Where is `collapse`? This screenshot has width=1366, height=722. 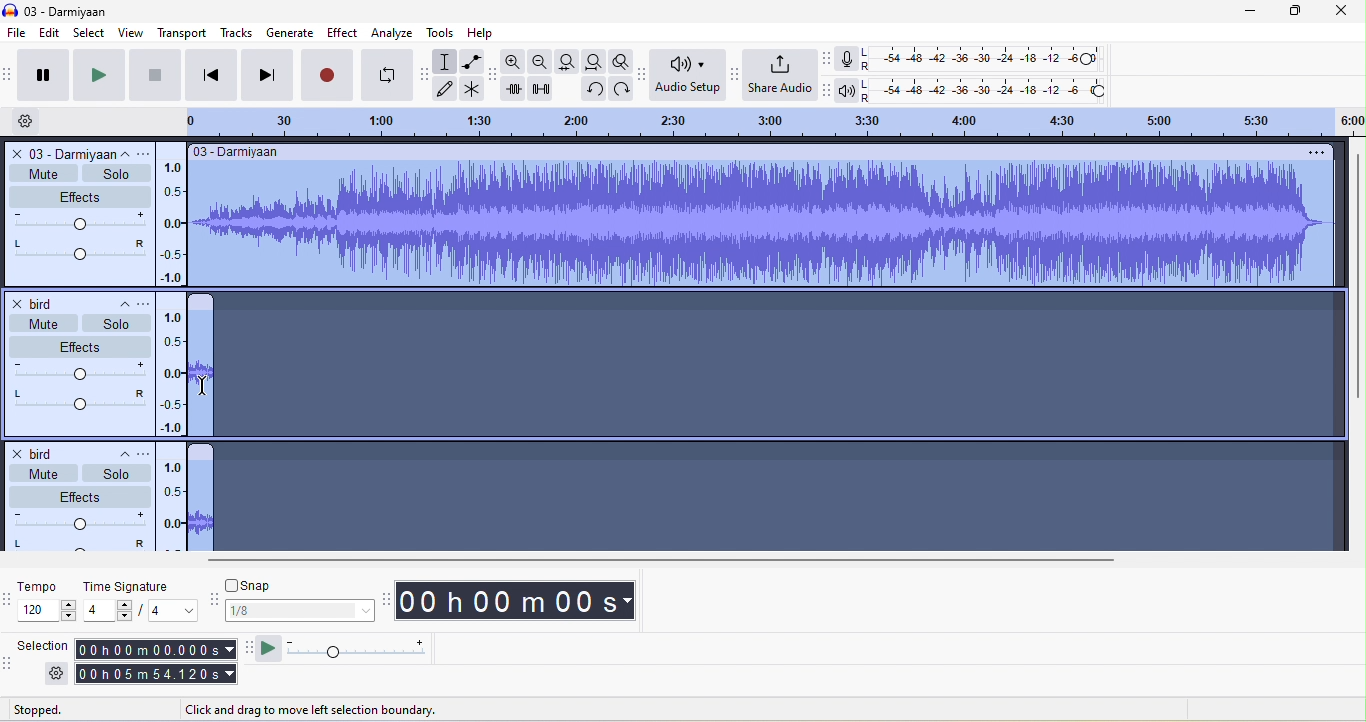
collapse is located at coordinates (111, 301).